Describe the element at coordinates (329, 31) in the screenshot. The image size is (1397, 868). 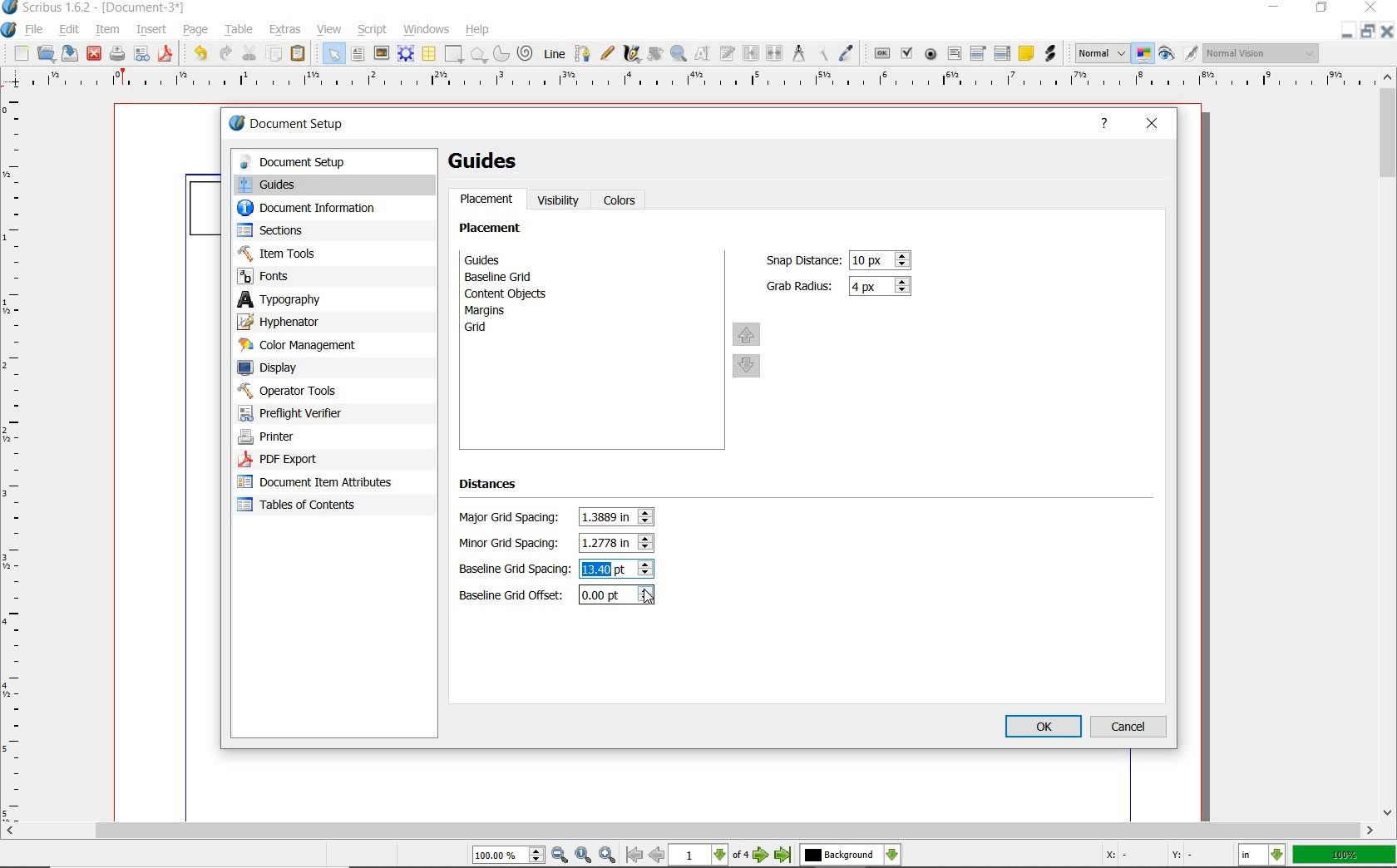
I see `view` at that location.